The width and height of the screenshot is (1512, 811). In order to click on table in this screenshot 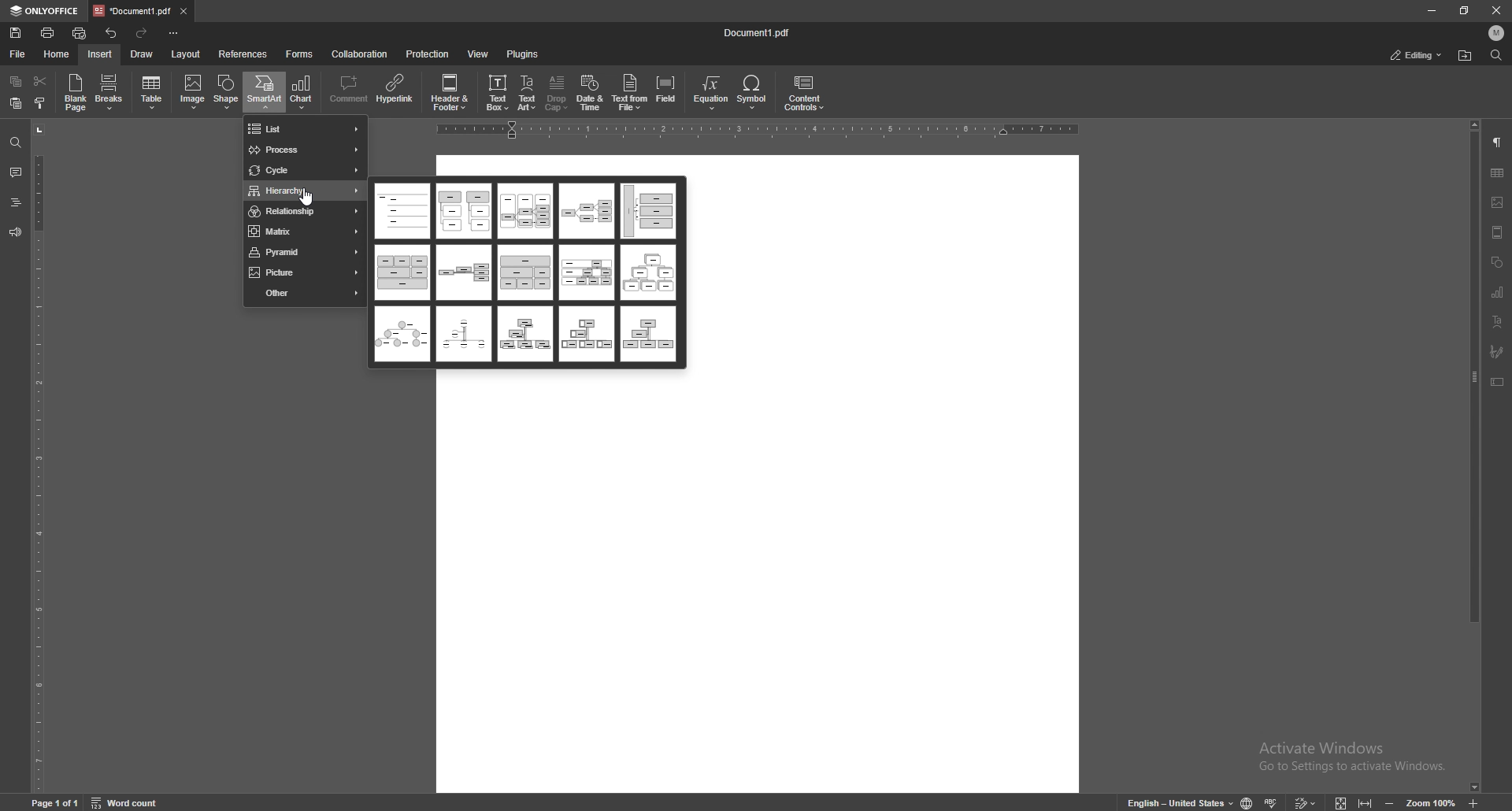, I will do `click(153, 93)`.